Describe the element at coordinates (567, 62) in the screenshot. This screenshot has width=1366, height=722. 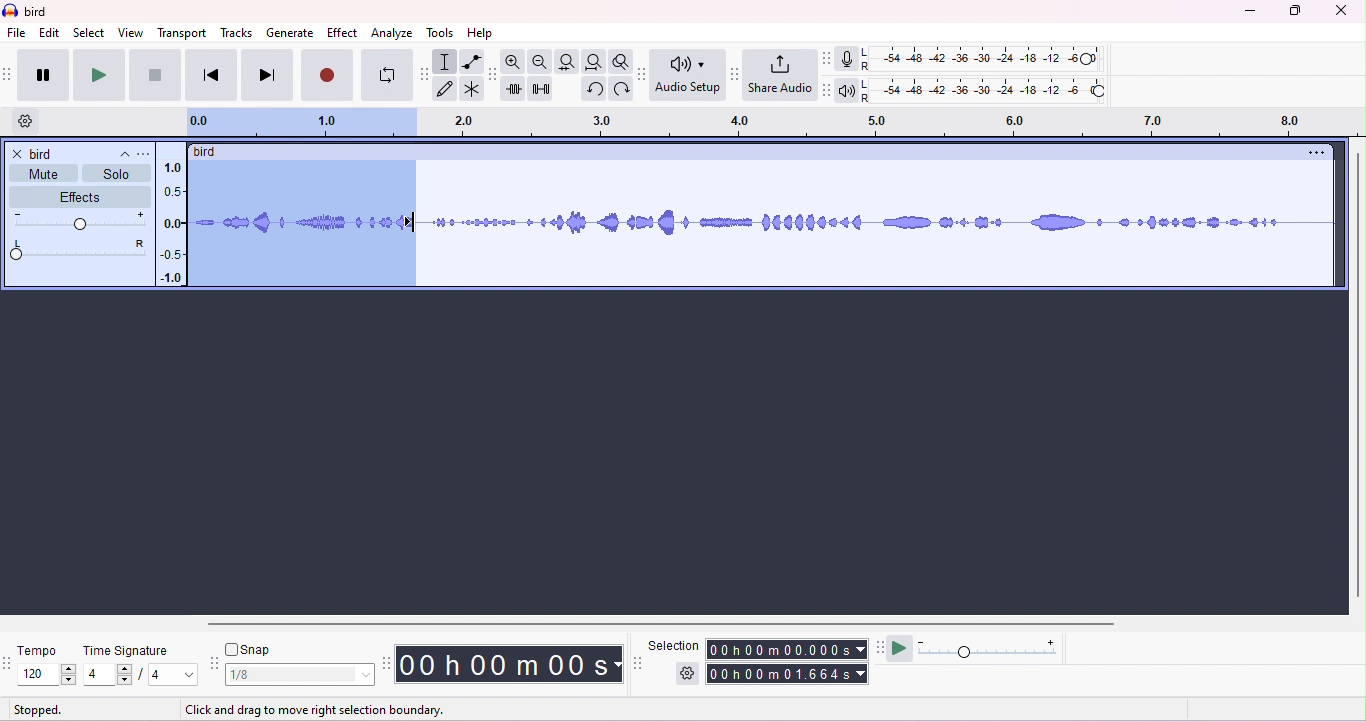
I see `fit selection to width` at that location.